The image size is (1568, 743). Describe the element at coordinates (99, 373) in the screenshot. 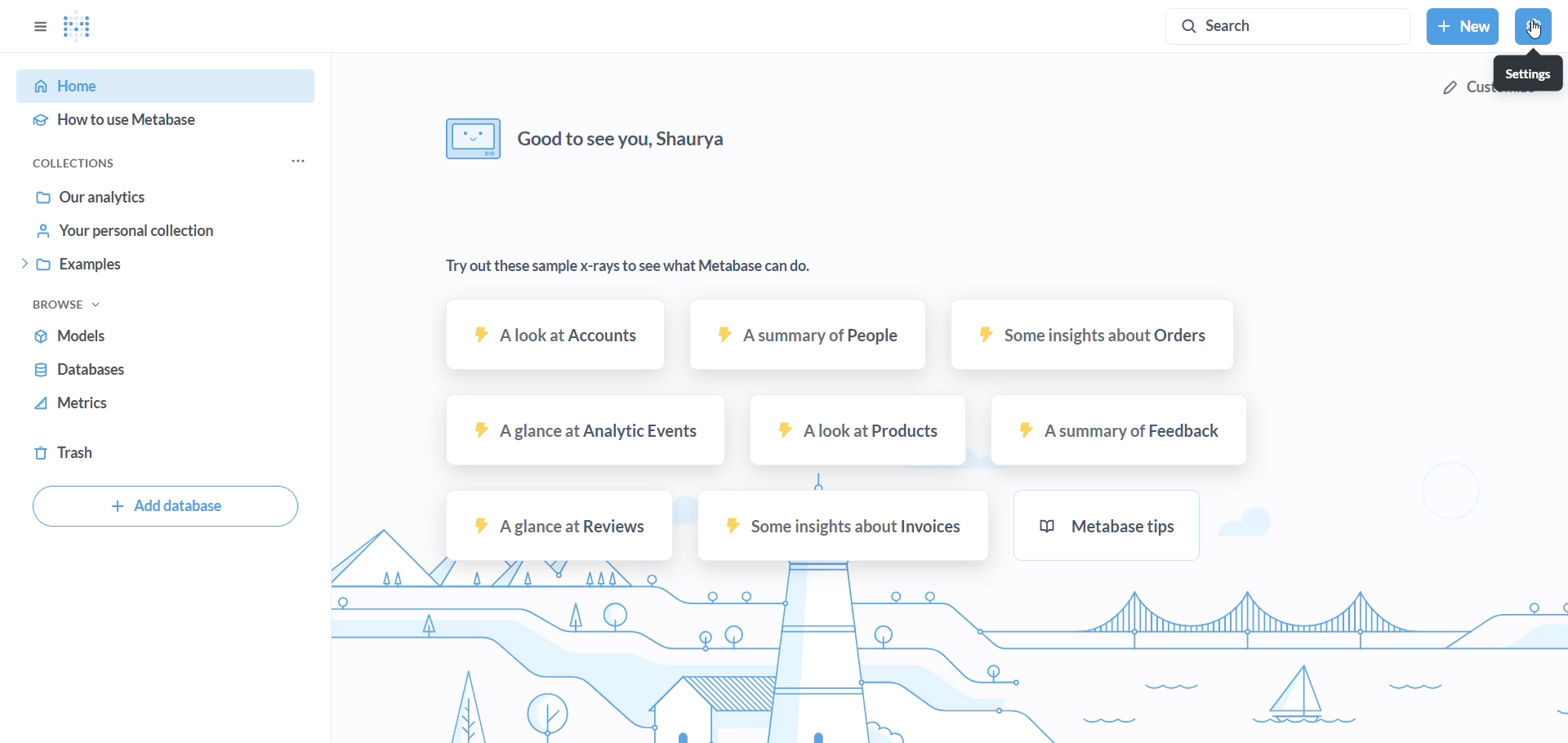

I see `databases` at that location.